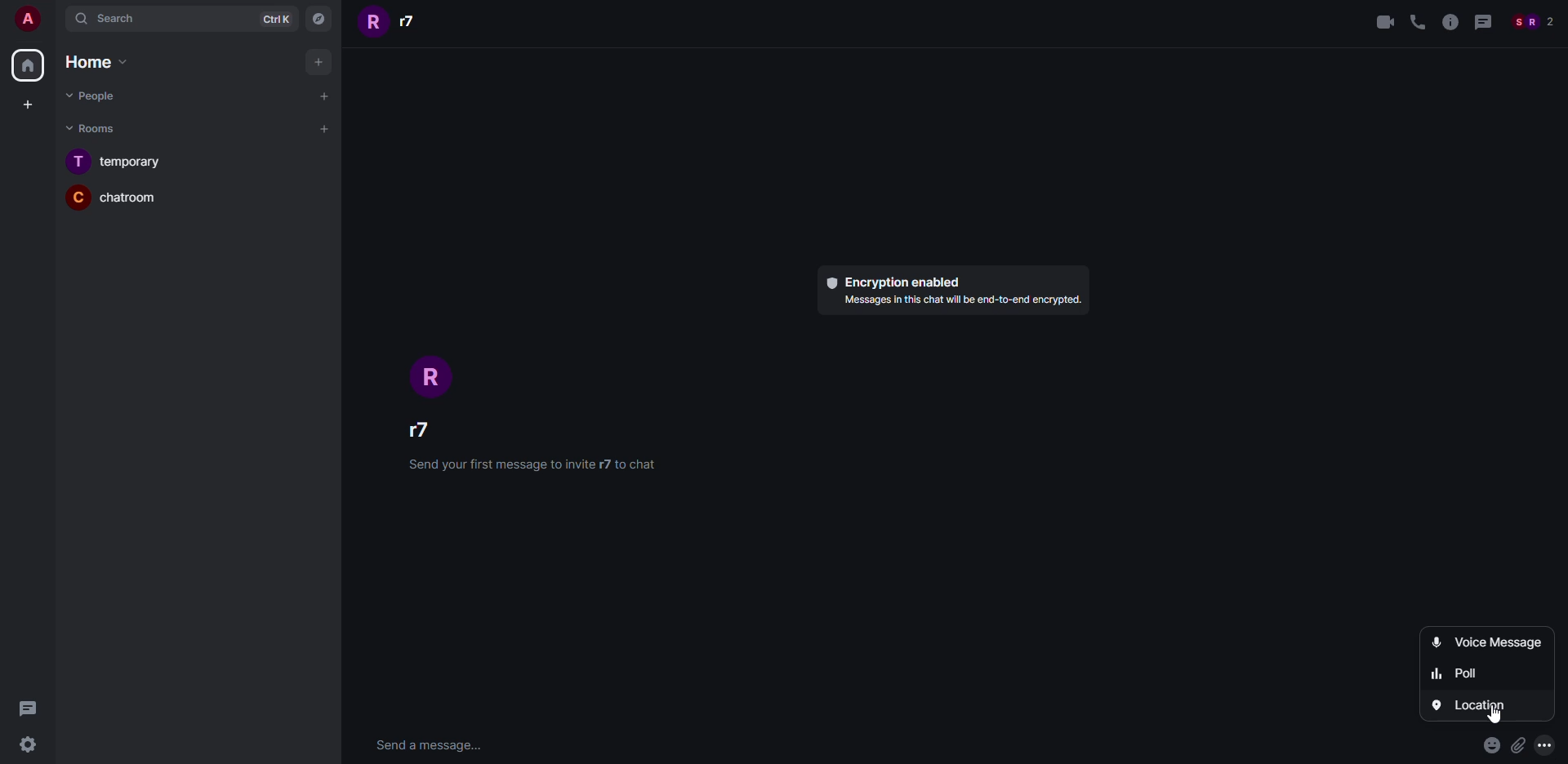 The height and width of the screenshot is (764, 1568). I want to click on voice message, so click(1486, 642).